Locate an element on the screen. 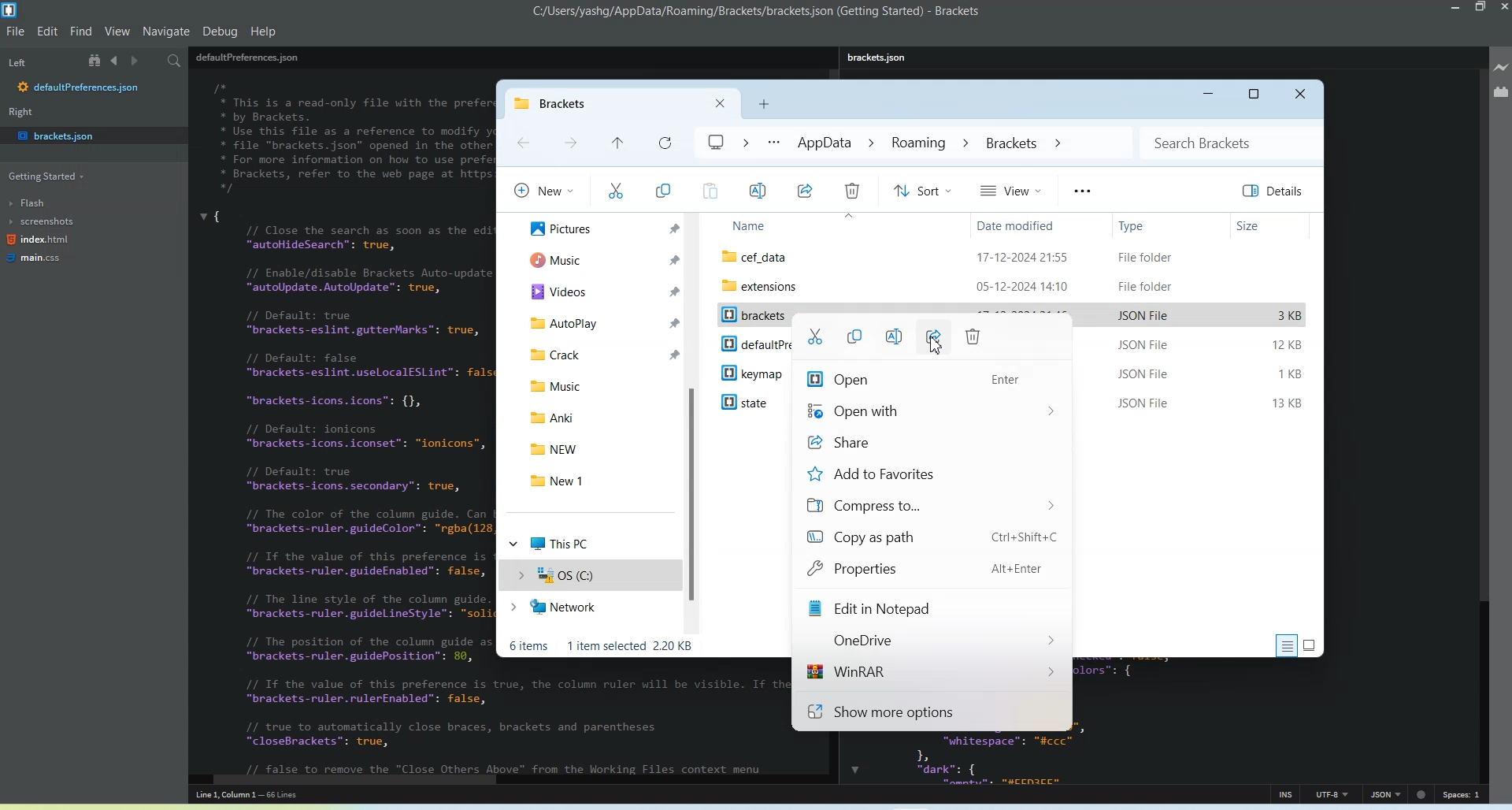  defaultpreferences.json is located at coordinates (80, 88).